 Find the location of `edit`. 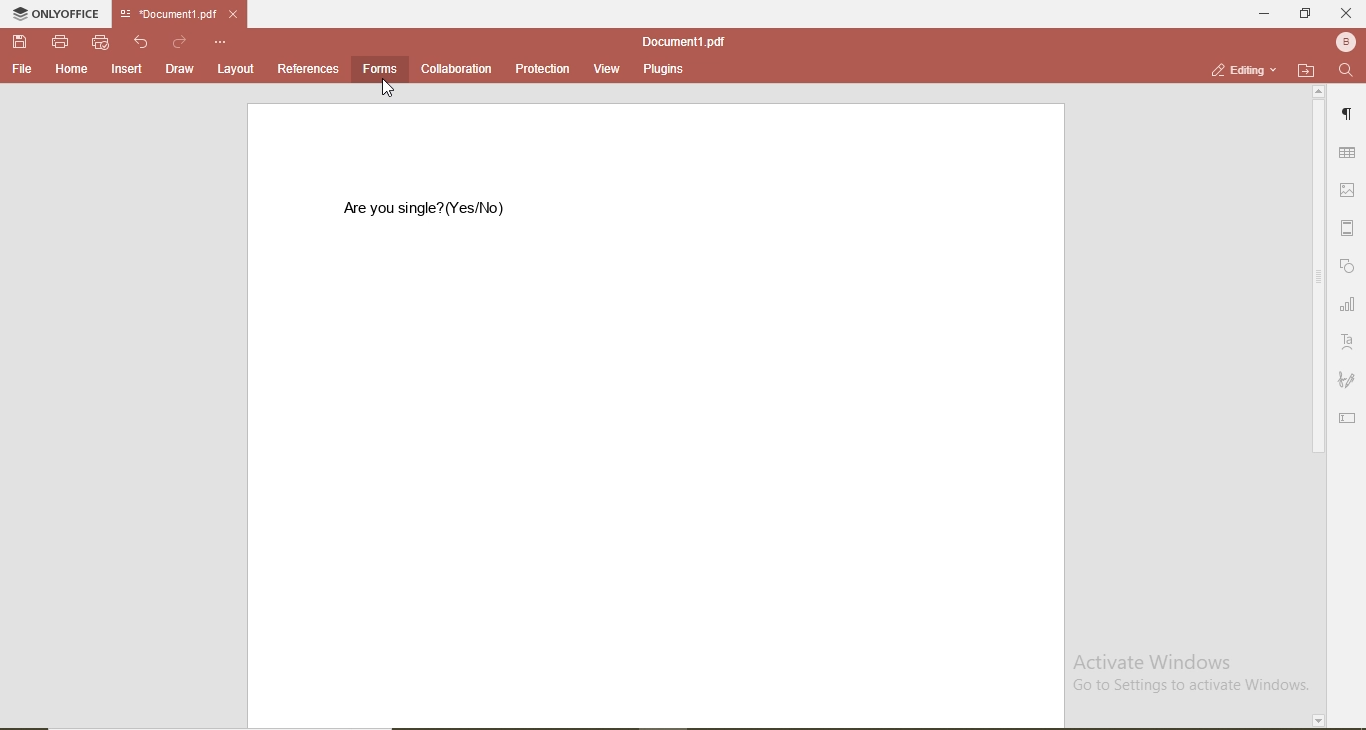

edit is located at coordinates (1350, 418).